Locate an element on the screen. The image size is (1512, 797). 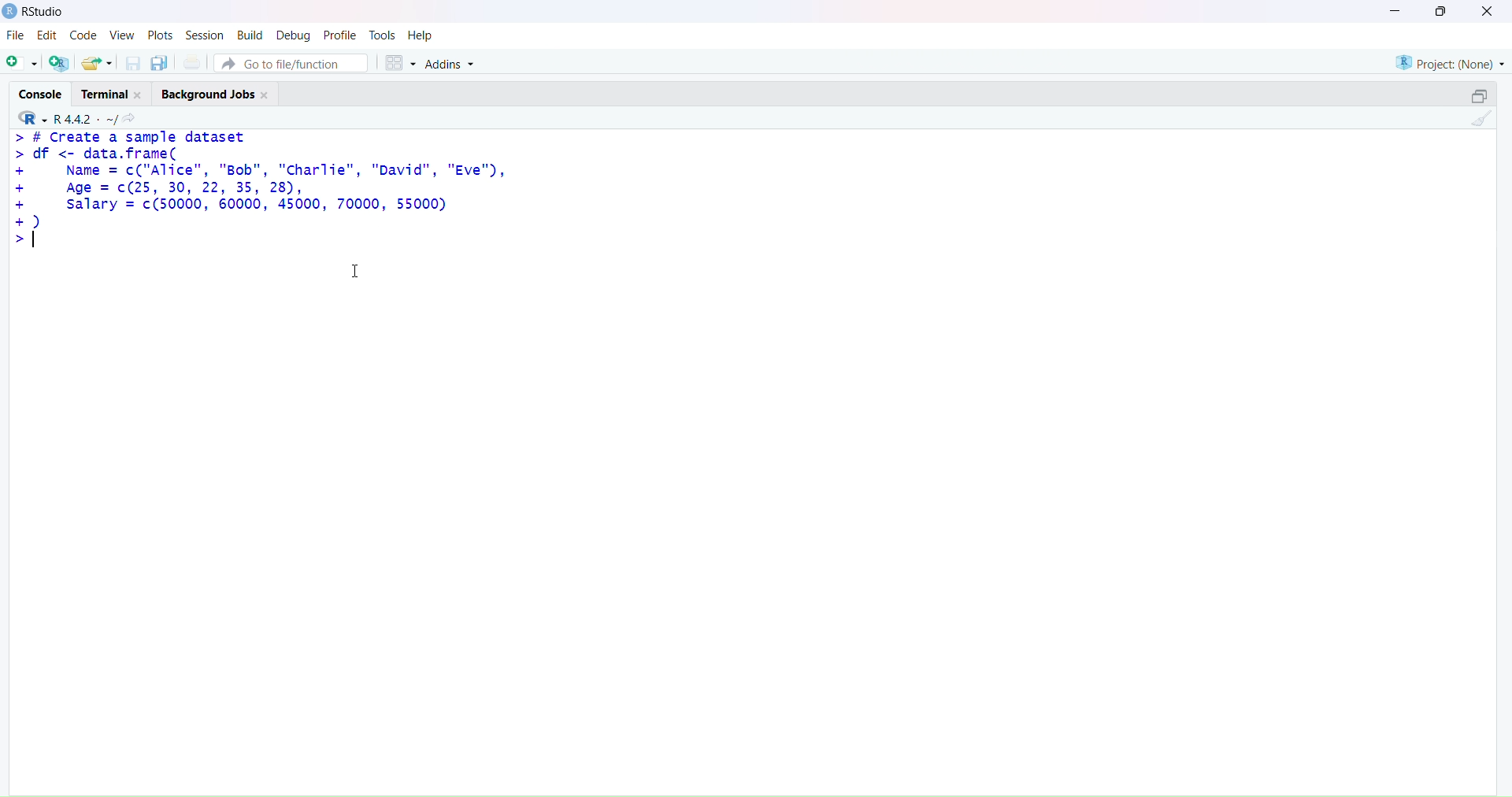
tools is located at coordinates (384, 34).